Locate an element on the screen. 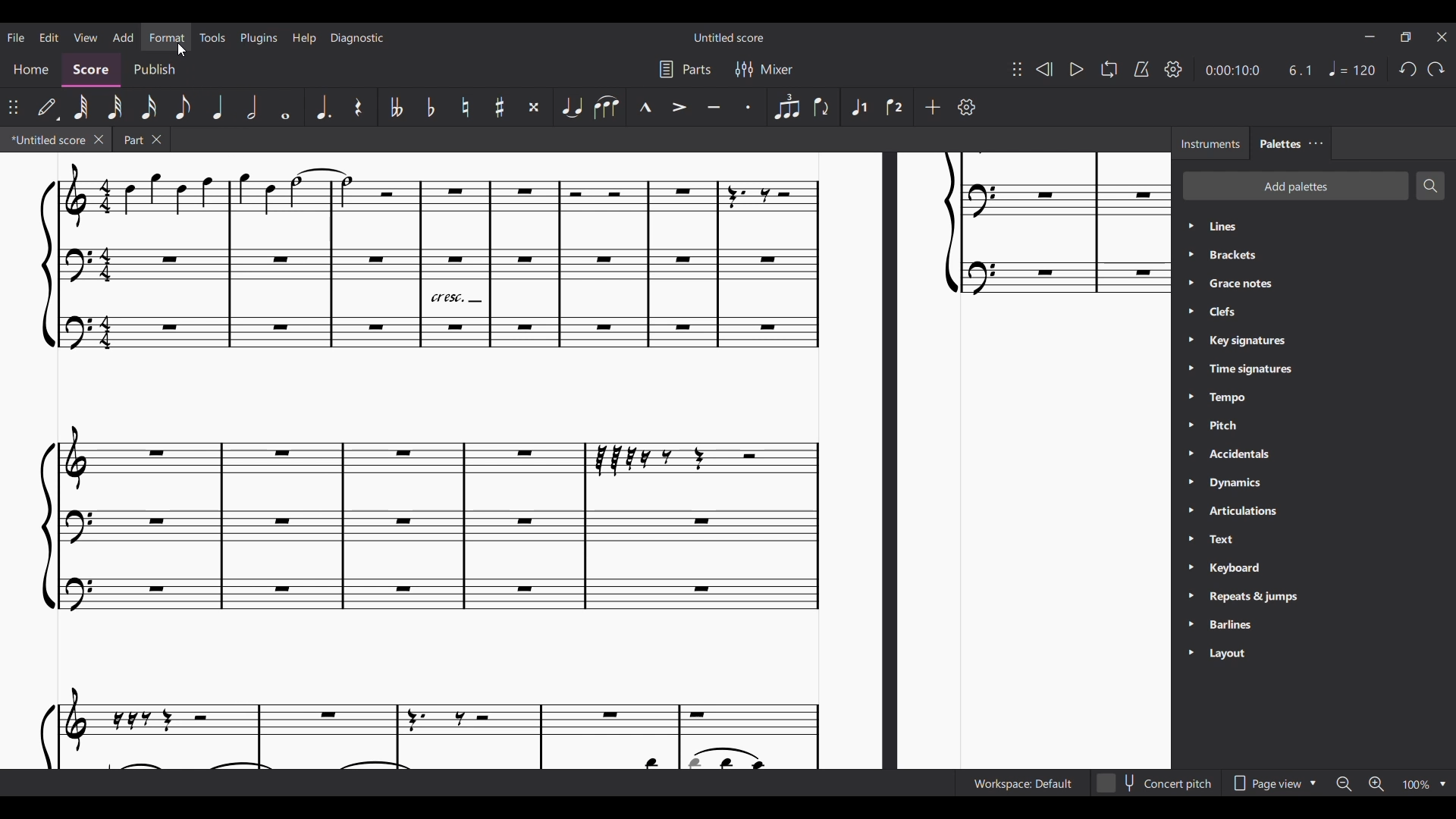  Parts settings is located at coordinates (685, 69).